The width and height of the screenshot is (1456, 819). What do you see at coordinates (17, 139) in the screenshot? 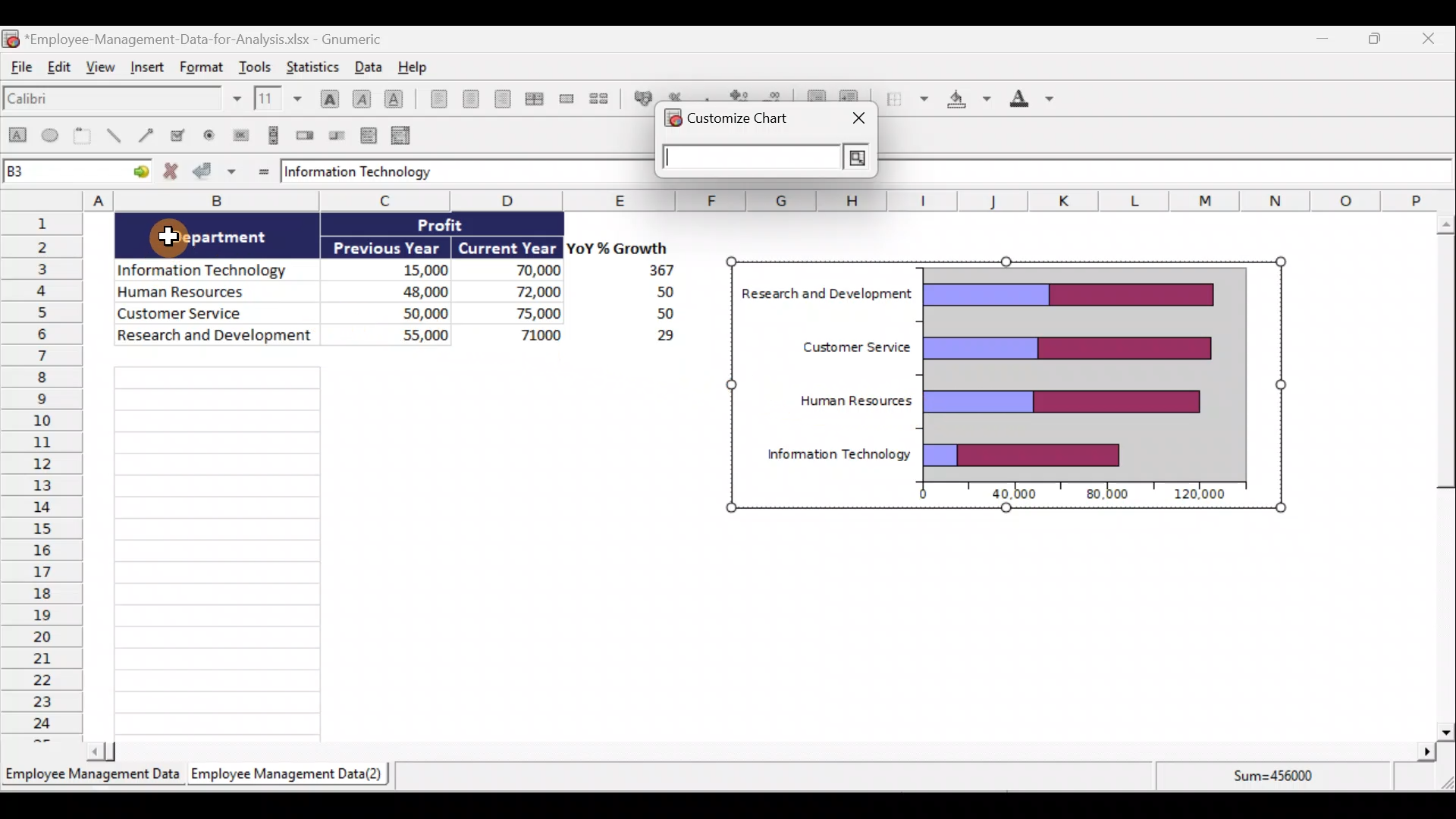
I see `Create a rectangle object` at bounding box center [17, 139].